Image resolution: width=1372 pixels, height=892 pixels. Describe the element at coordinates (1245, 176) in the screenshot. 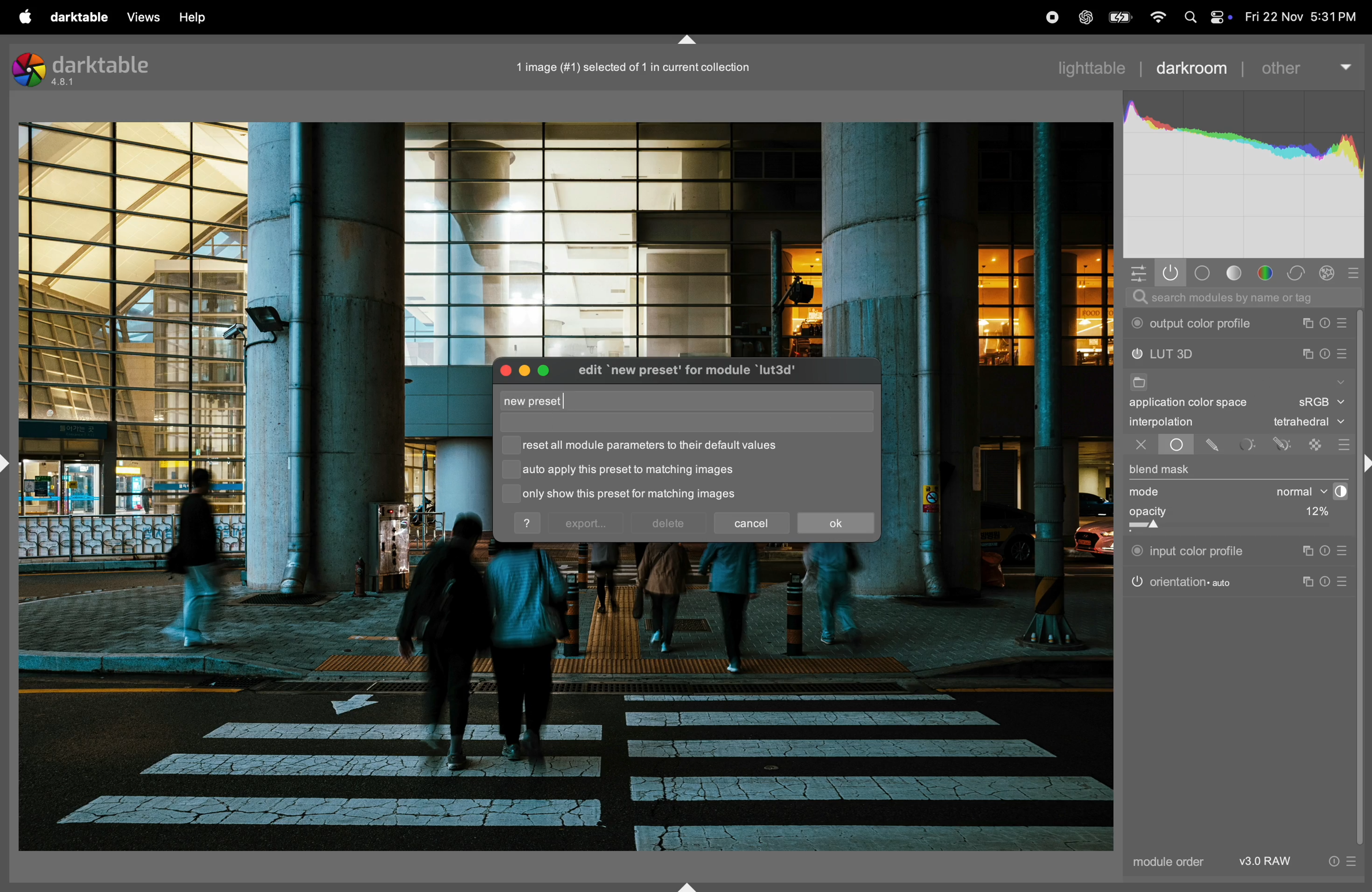

I see `histogram` at that location.